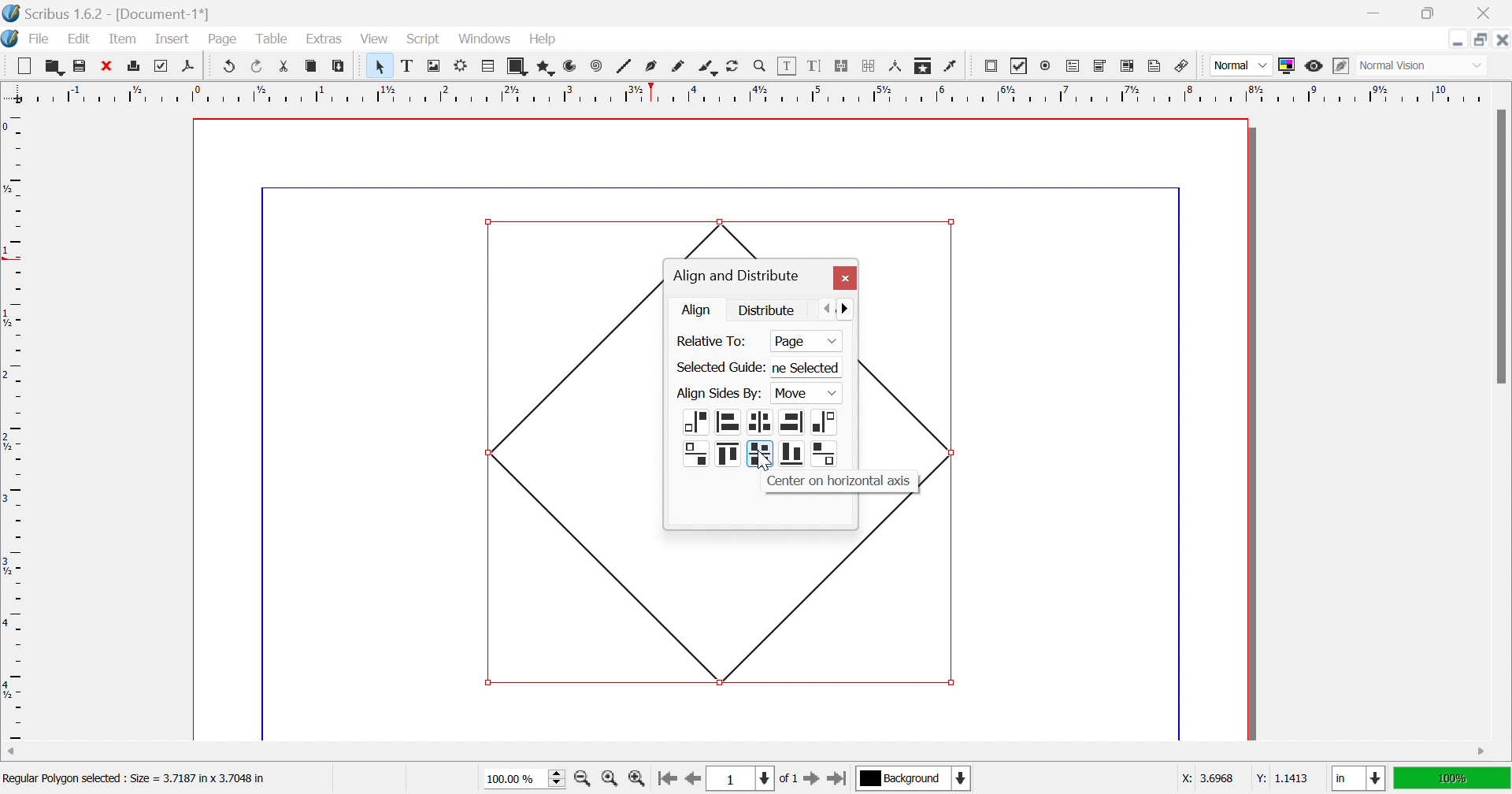  What do you see at coordinates (921, 67) in the screenshot?
I see `Copy item properties` at bounding box center [921, 67].